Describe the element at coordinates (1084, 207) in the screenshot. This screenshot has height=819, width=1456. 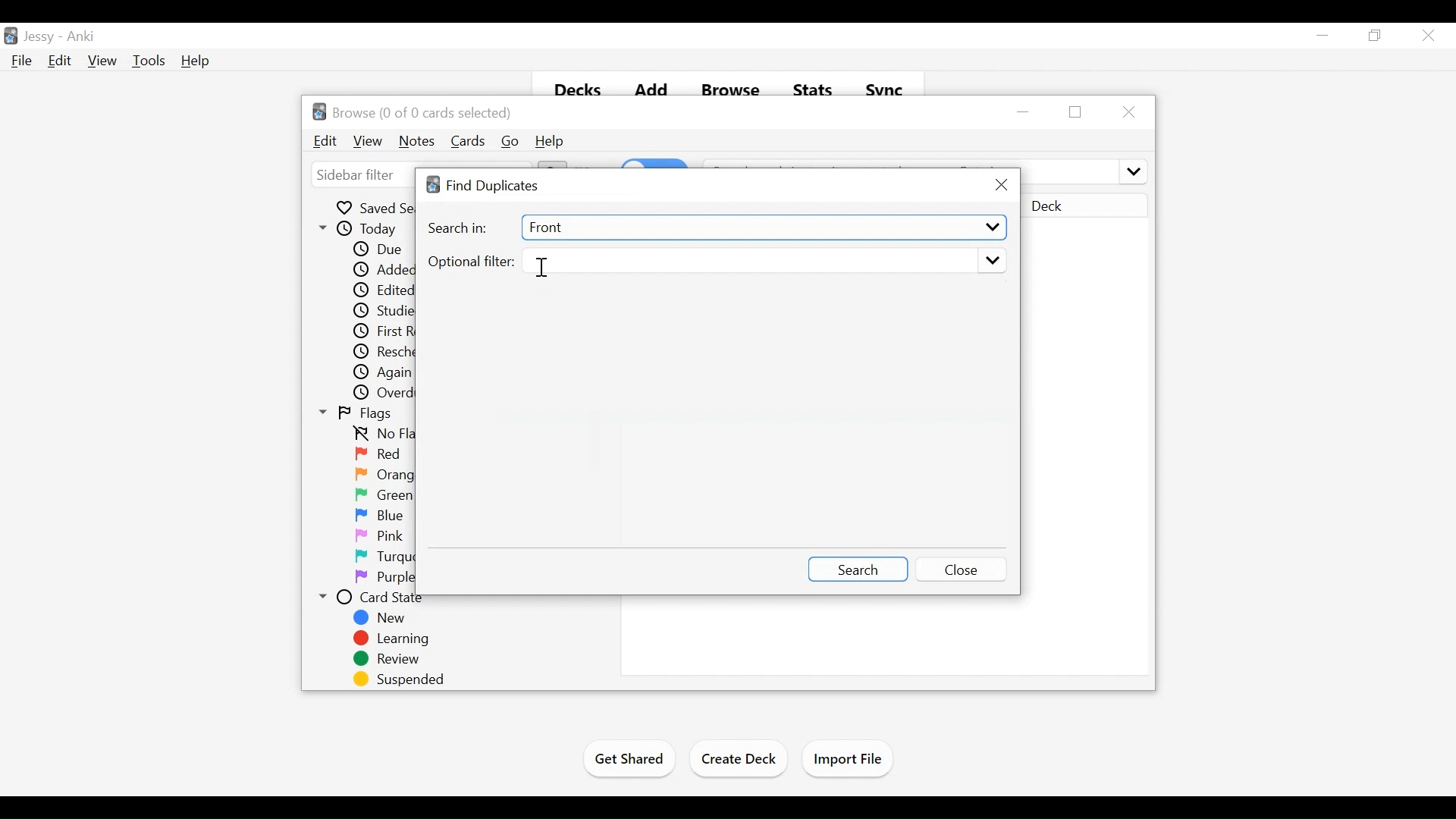
I see `Deck` at that location.